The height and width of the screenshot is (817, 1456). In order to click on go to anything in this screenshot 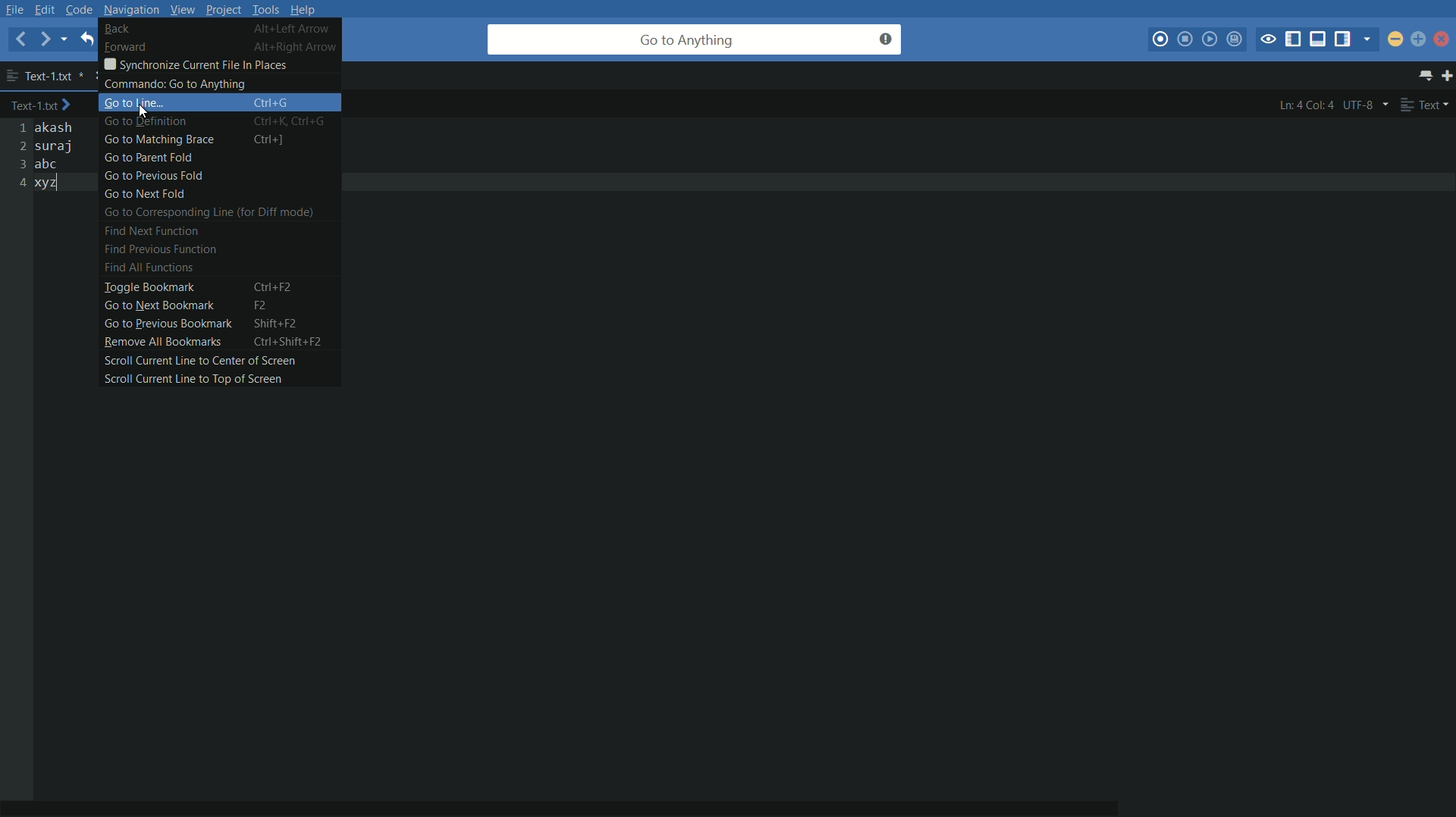, I will do `click(695, 39)`.